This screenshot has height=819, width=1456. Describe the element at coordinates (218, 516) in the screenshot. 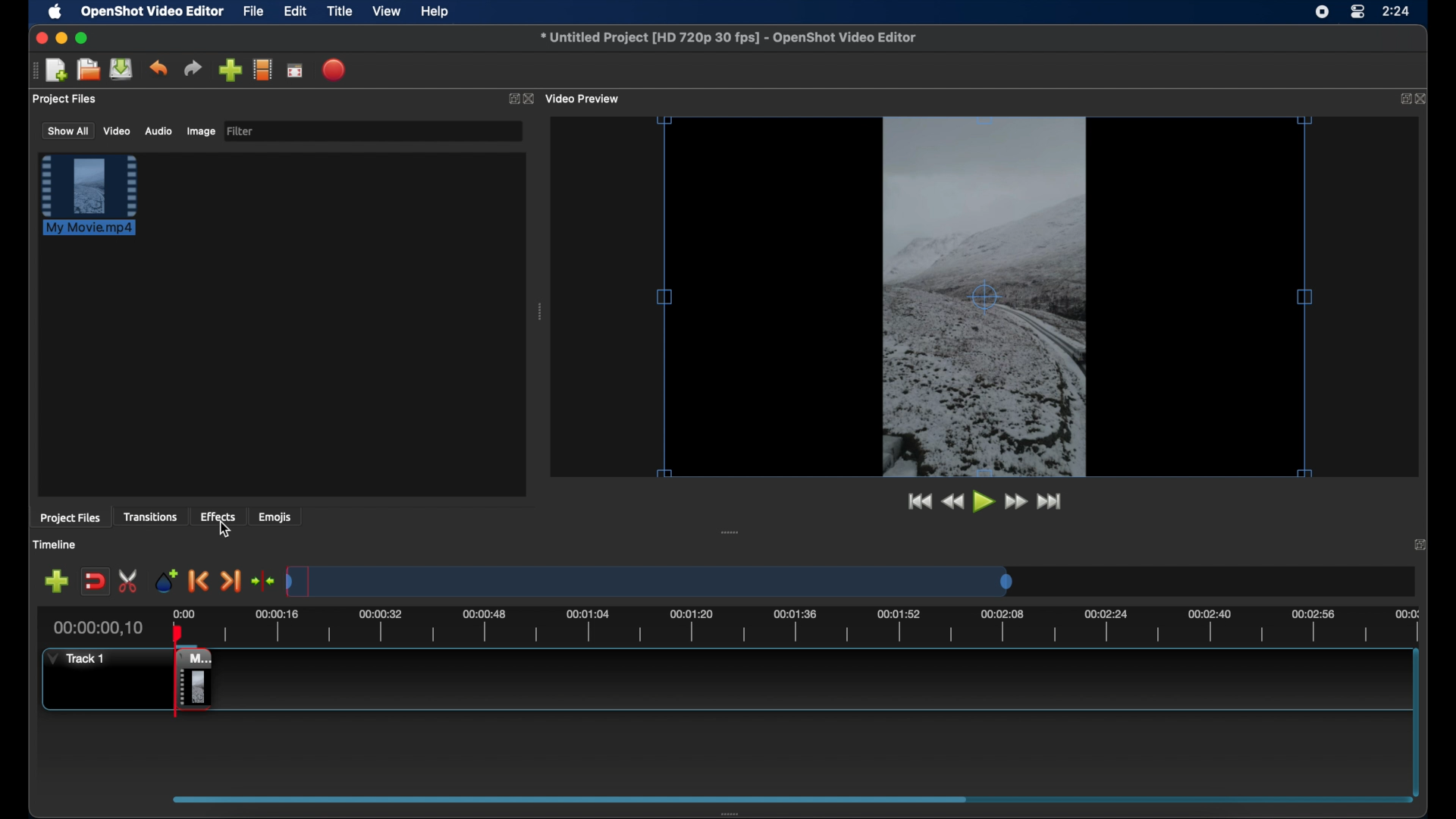

I see `effects` at that location.